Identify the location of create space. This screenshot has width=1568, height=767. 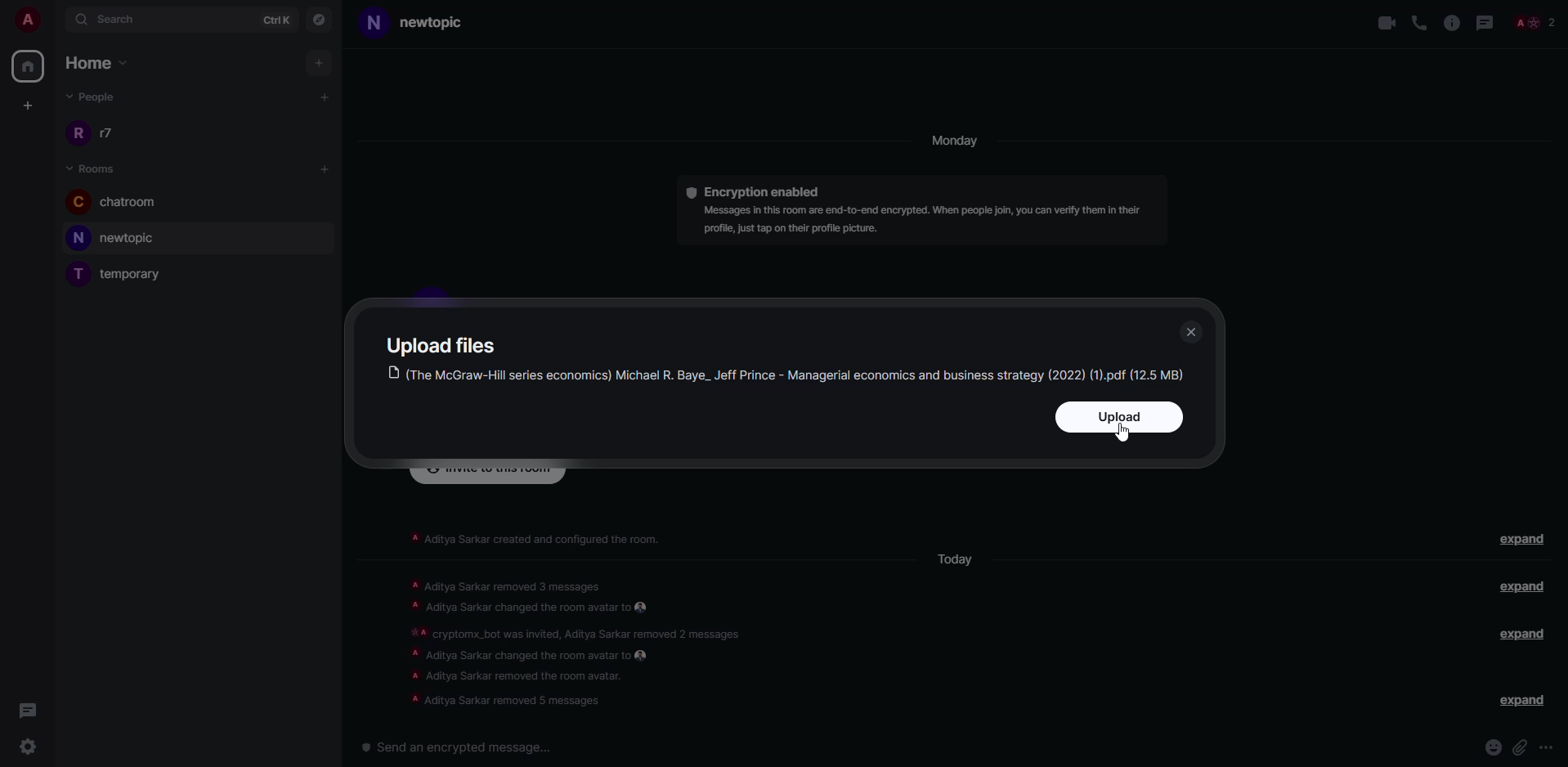
(28, 104).